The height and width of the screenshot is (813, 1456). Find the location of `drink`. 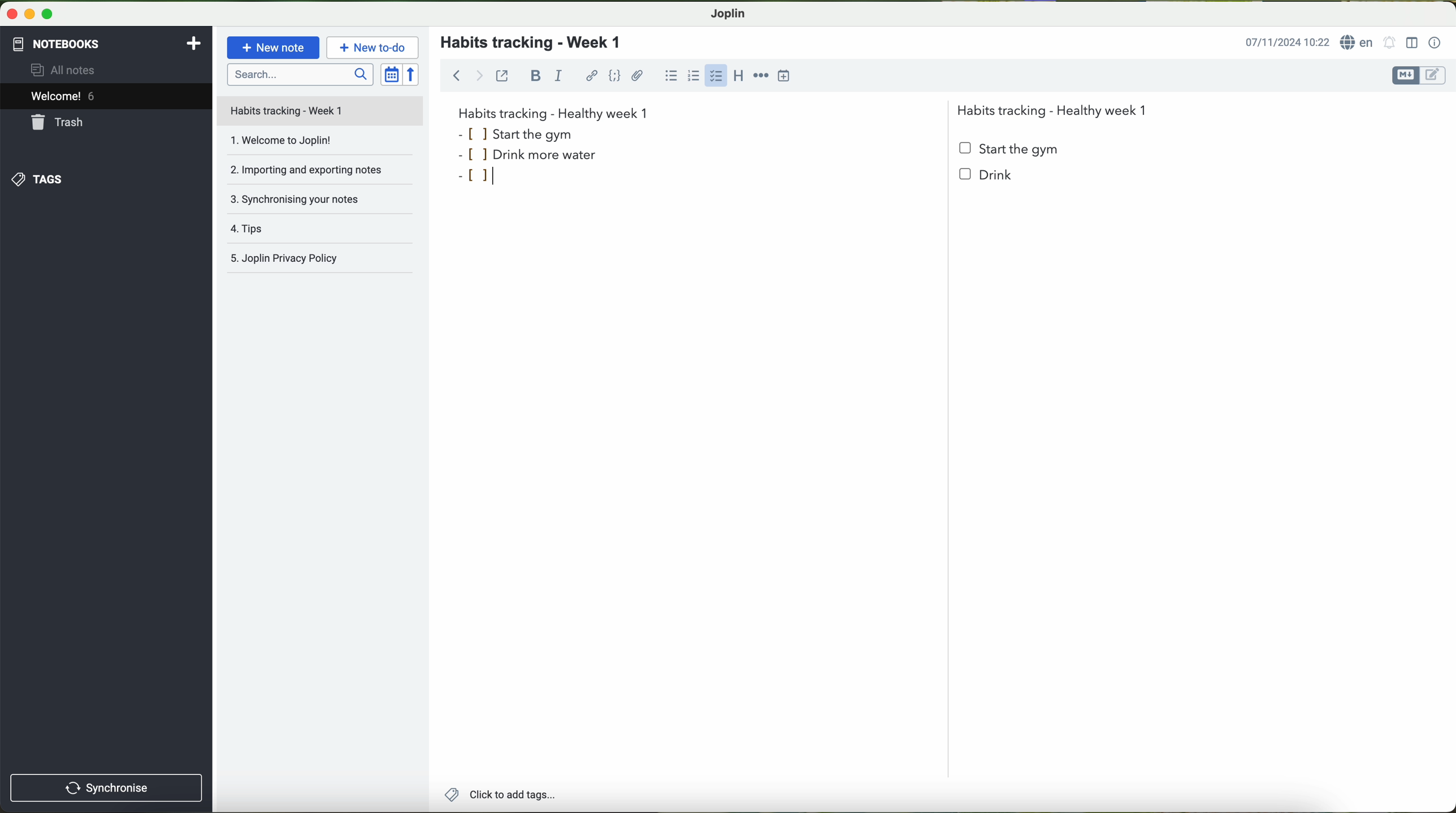

drink is located at coordinates (990, 181).